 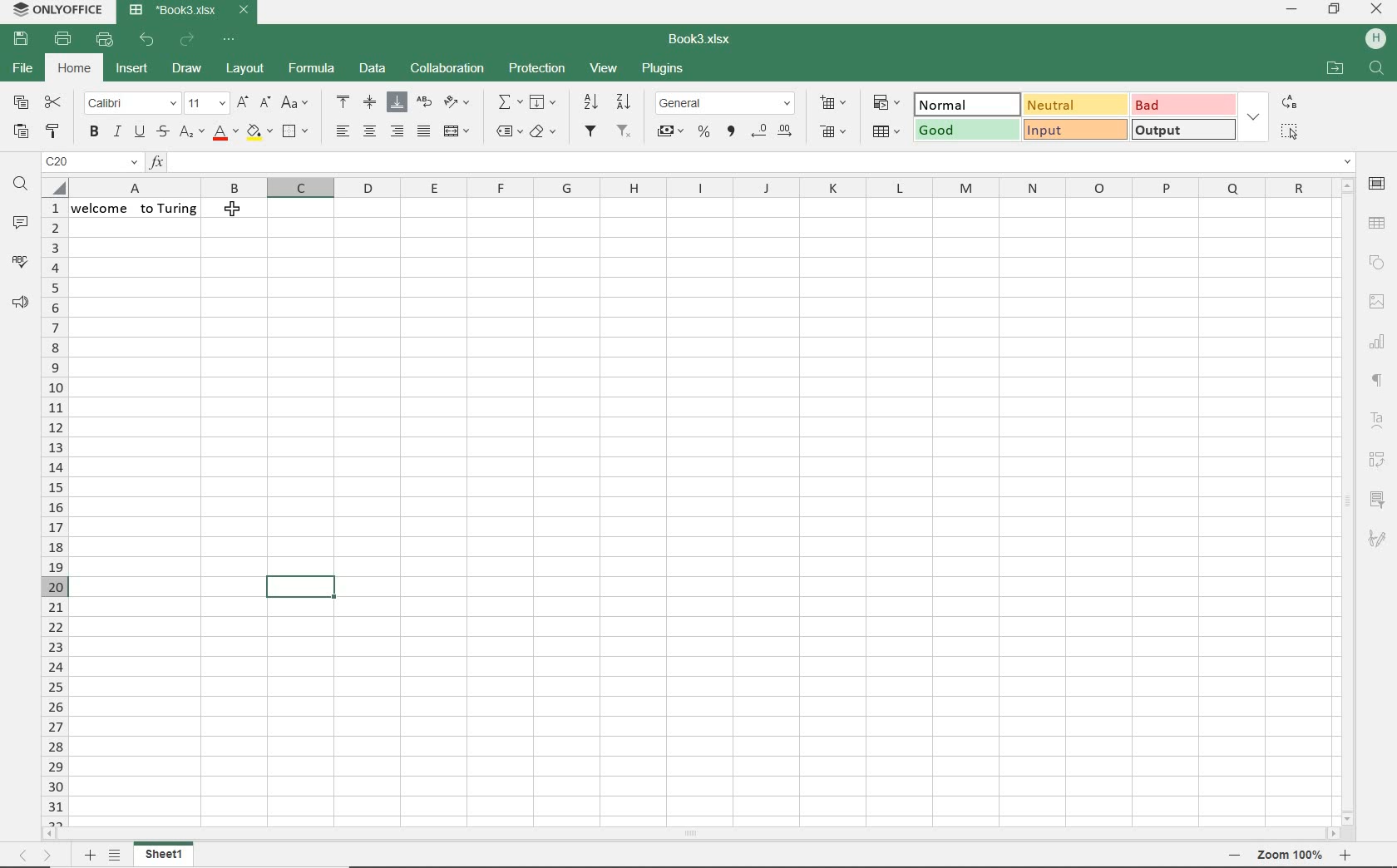 What do you see at coordinates (19, 303) in the screenshot?
I see `feedback & support` at bounding box center [19, 303].